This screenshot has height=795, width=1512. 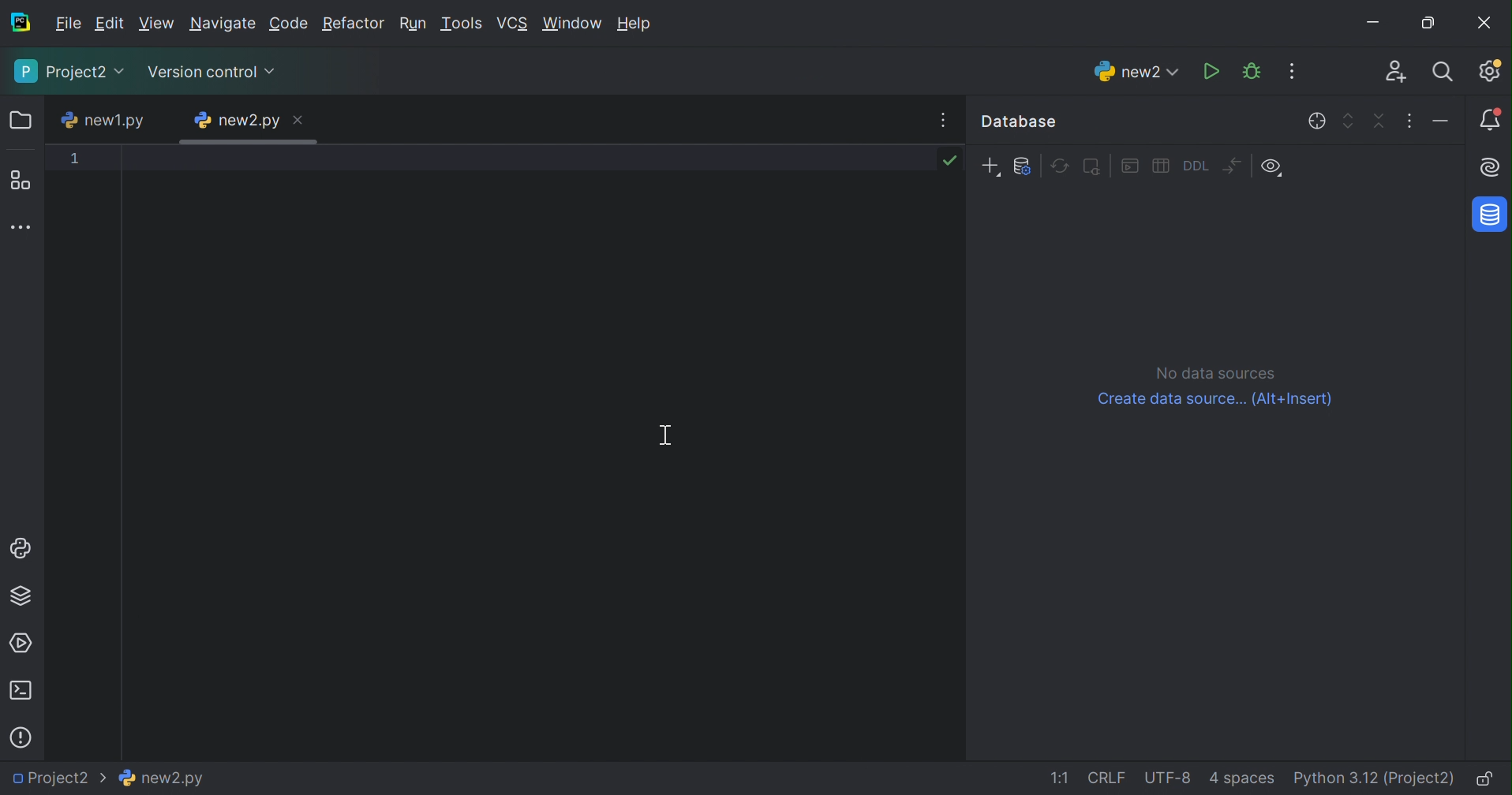 What do you see at coordinates (1484, 778) in the screenshot?
I see `Make file read-only` at bounding box center [1484, 778].